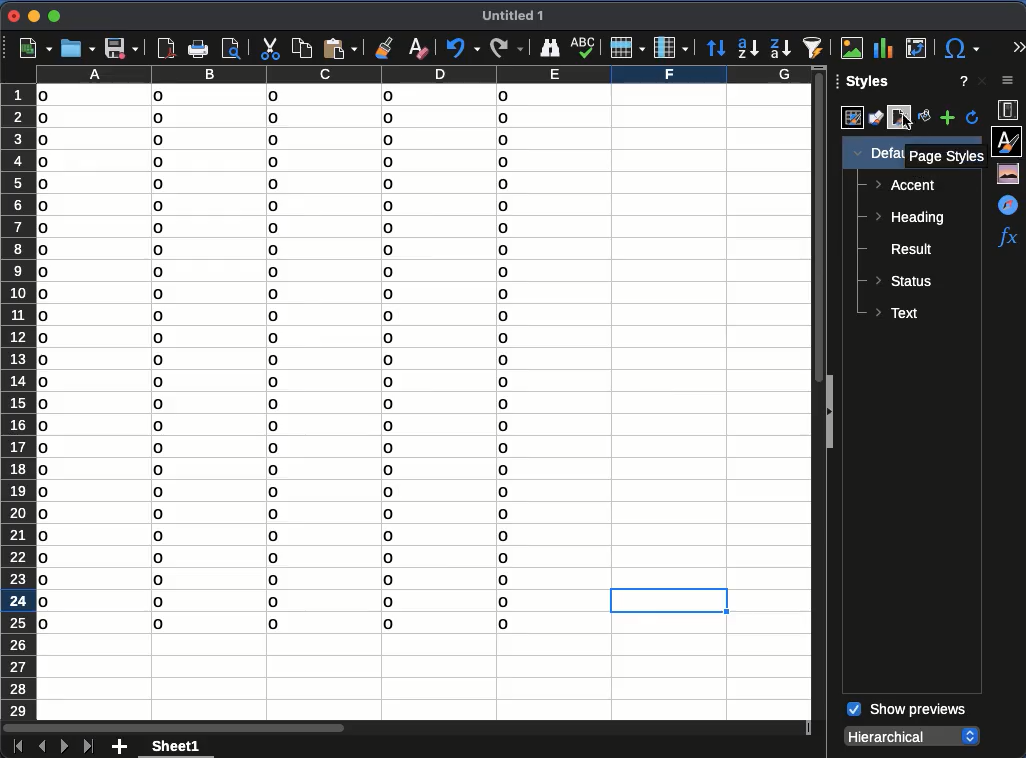  I want to click on navigator, so click(1007, 204).